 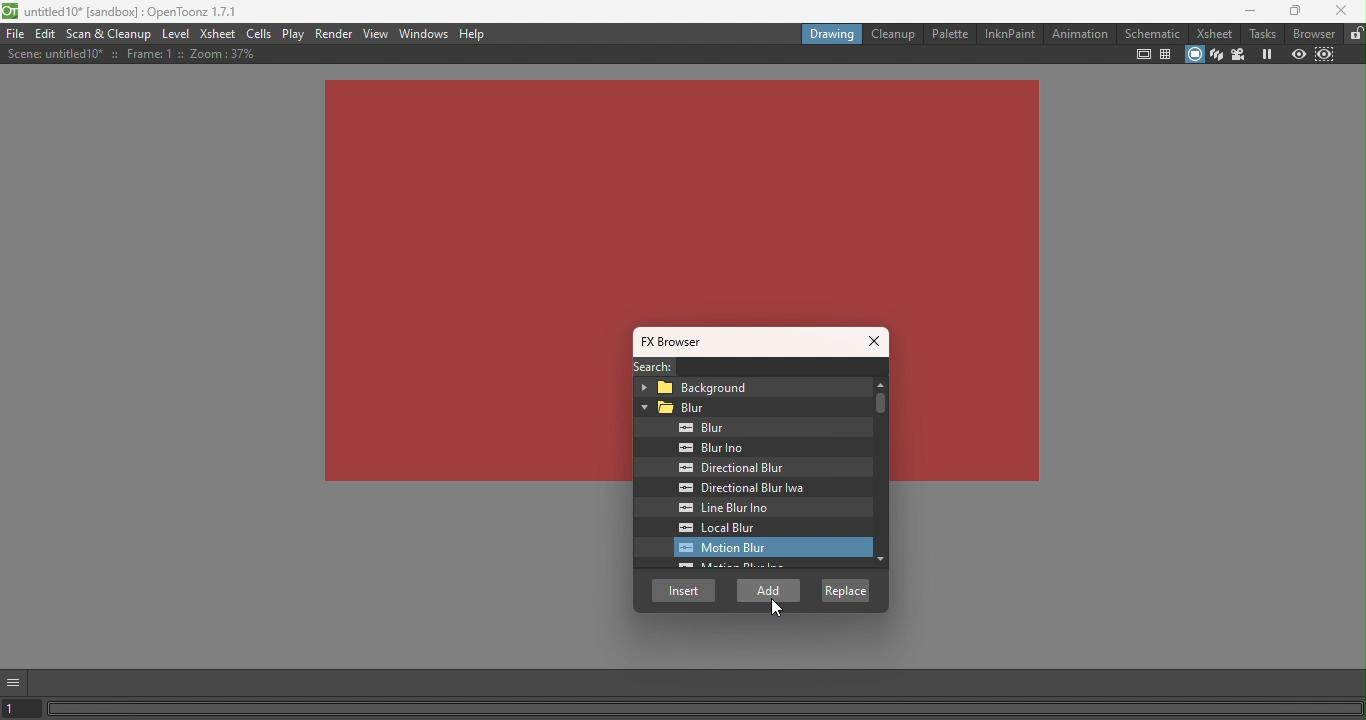 I want to click on FX browser, so click(x=679, y=342).